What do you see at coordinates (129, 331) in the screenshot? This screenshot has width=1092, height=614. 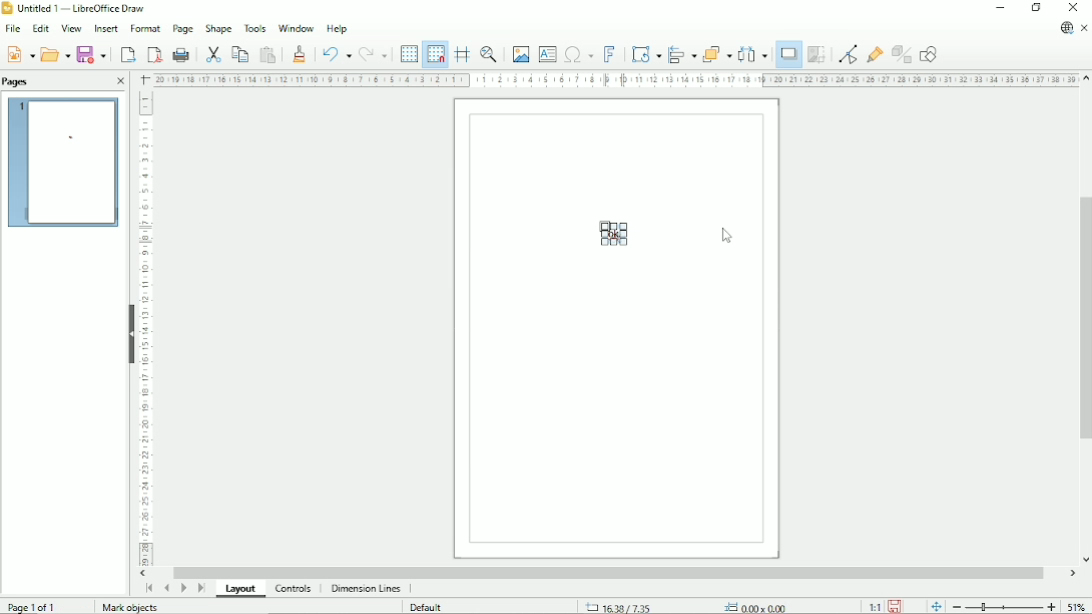 I see `Hide` at bounding box center [129, 331].